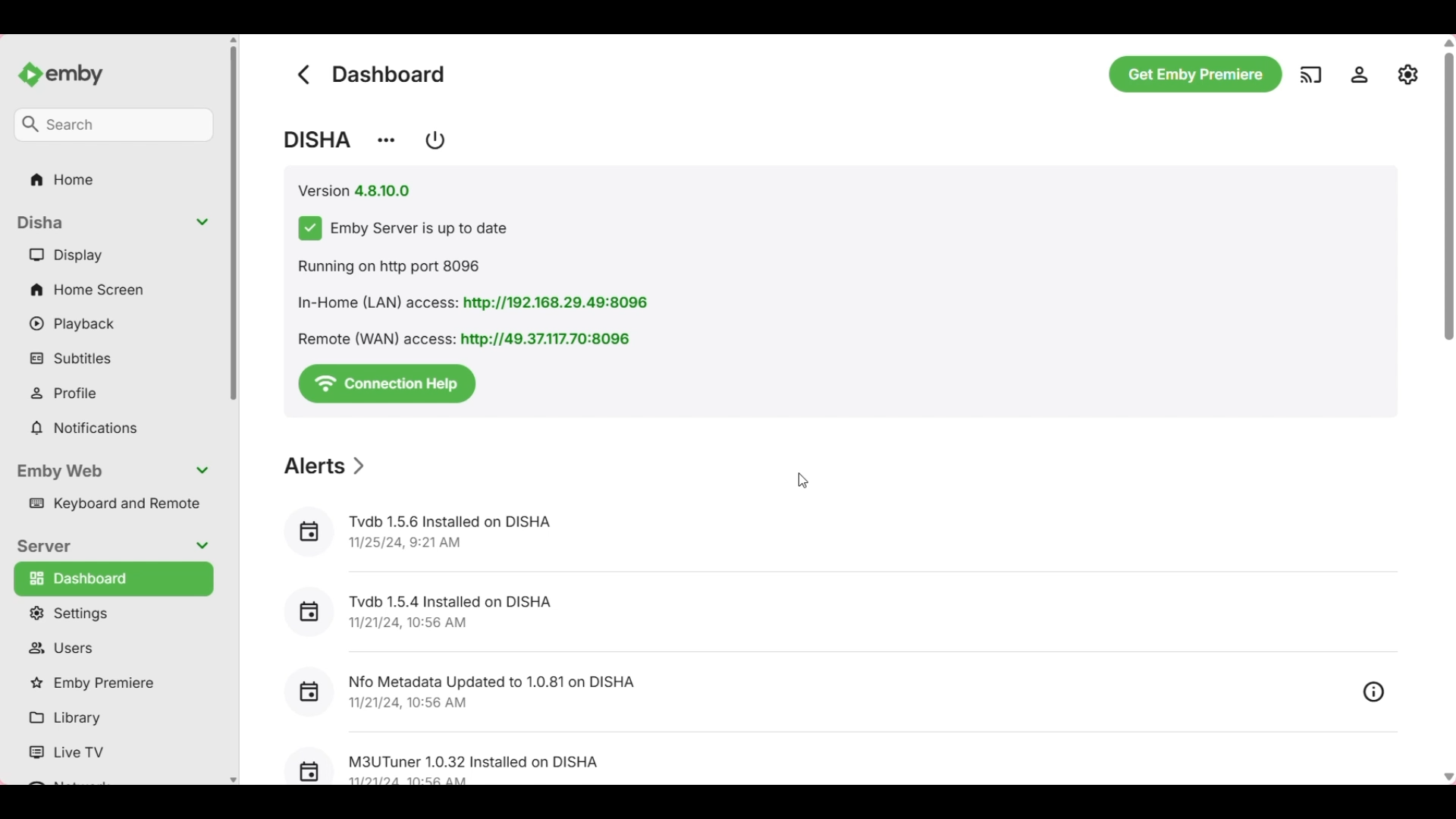  I want to click on Display, so click(113, 254).